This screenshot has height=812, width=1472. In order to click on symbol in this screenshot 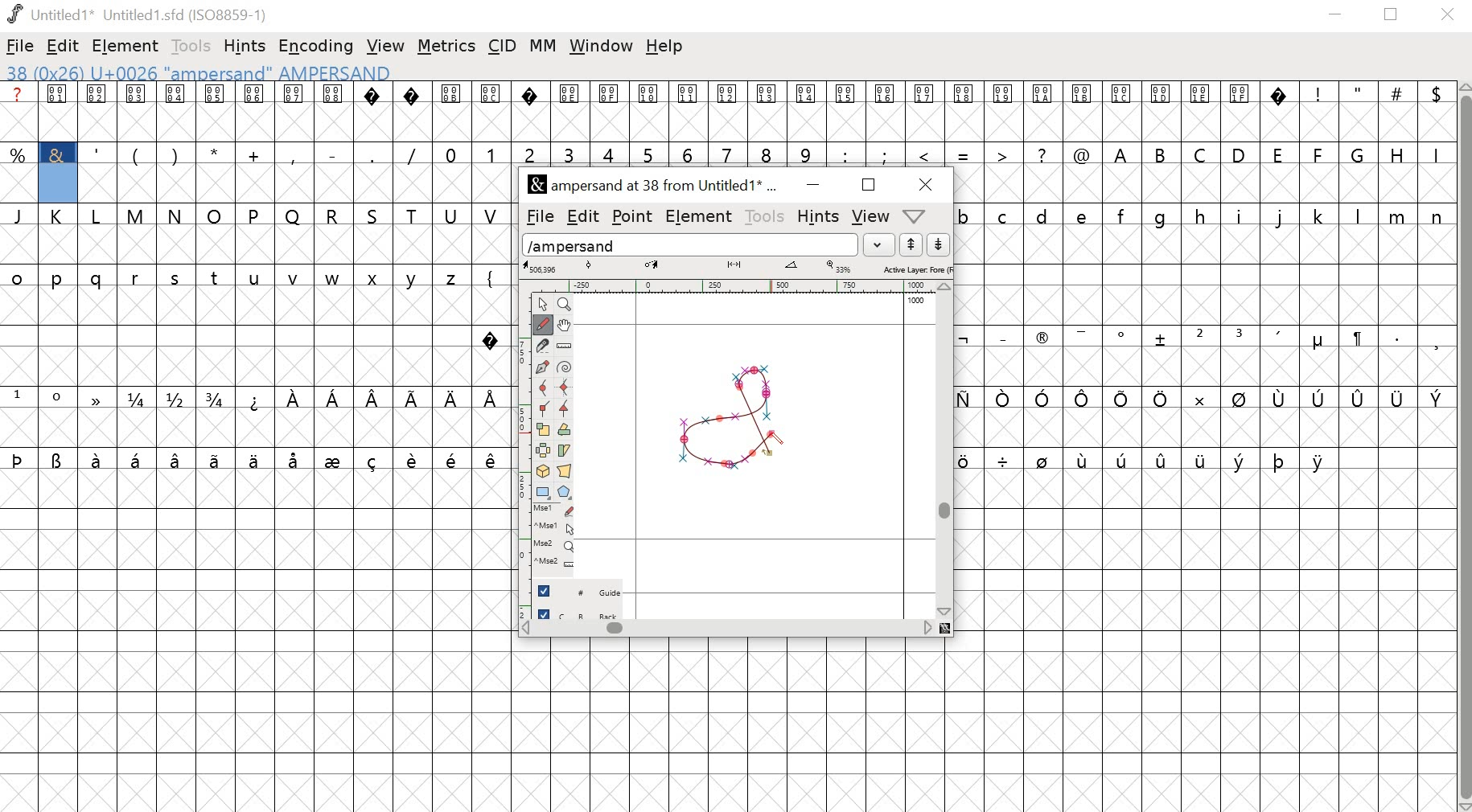, I will do `click(1124, 399)`.